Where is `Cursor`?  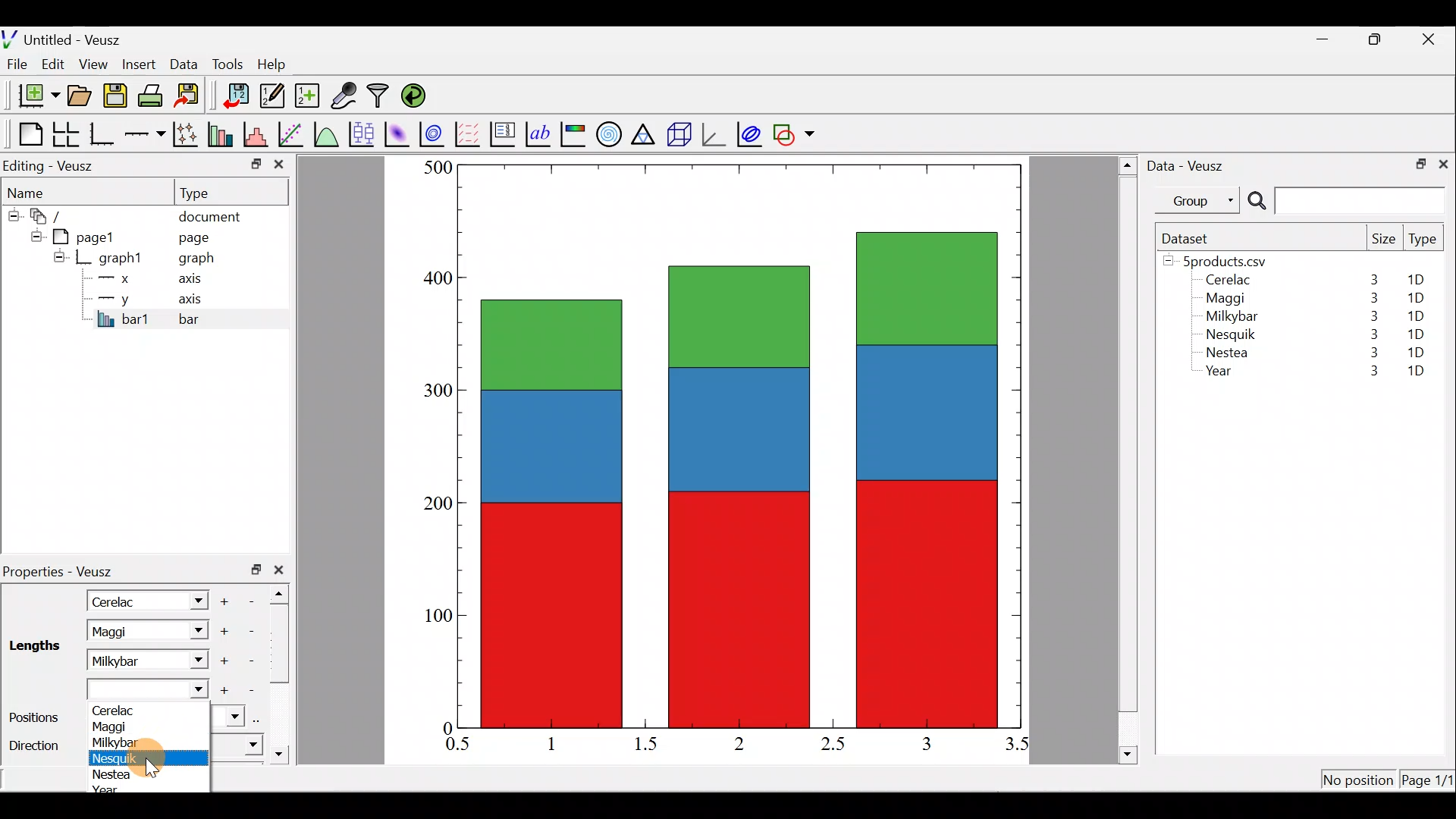
Cursor is located at coordinates (156, 758).